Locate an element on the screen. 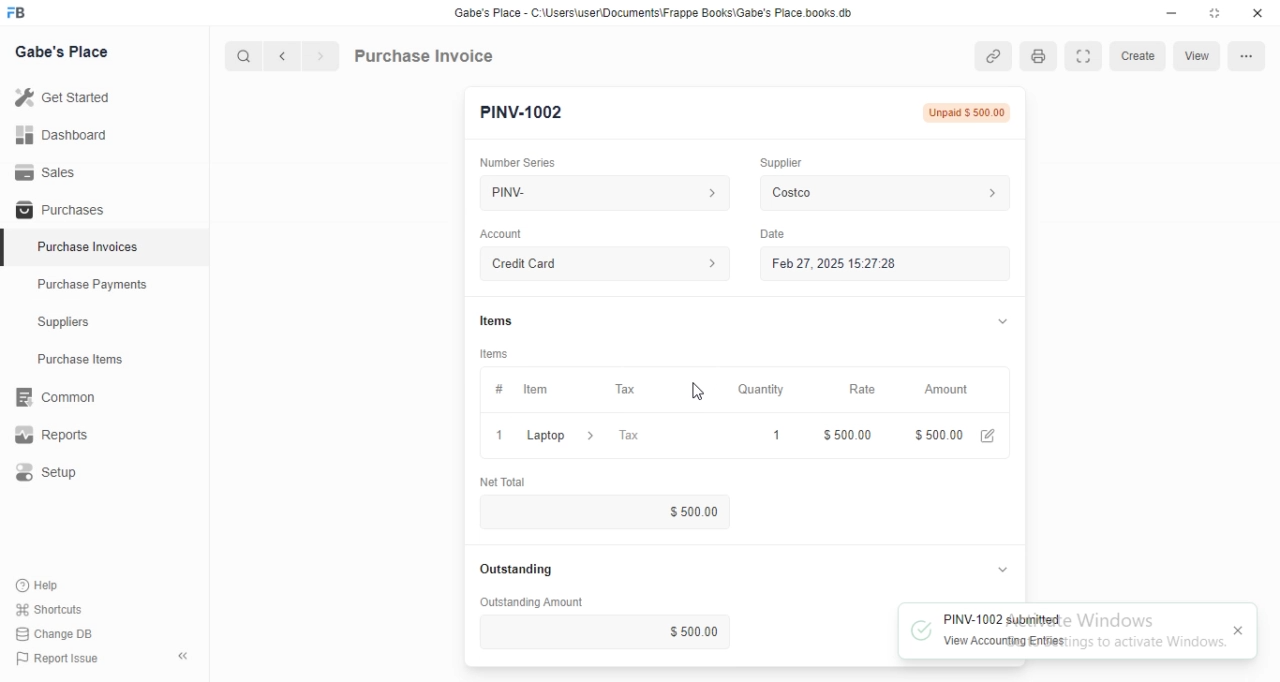  Dashboard is located at coordinates (104, 134).